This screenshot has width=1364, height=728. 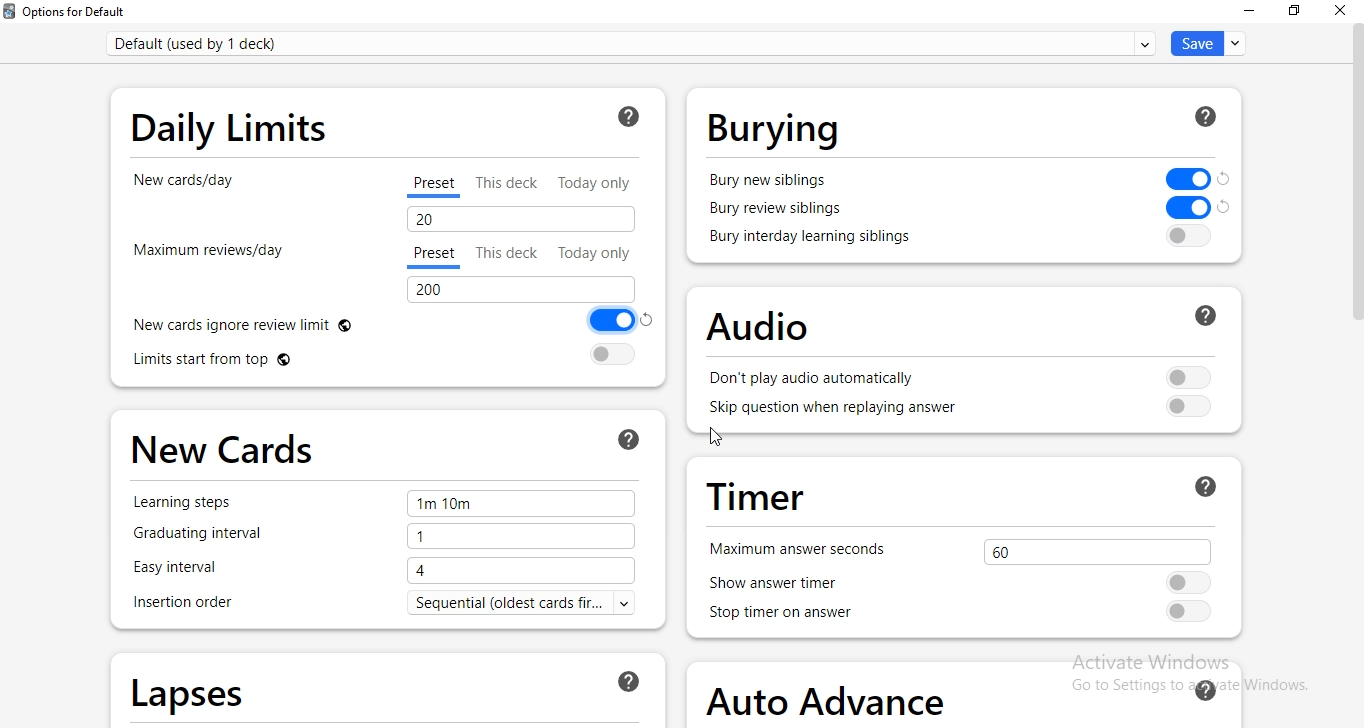 I want to click on audio, so click(x=748, y=324).